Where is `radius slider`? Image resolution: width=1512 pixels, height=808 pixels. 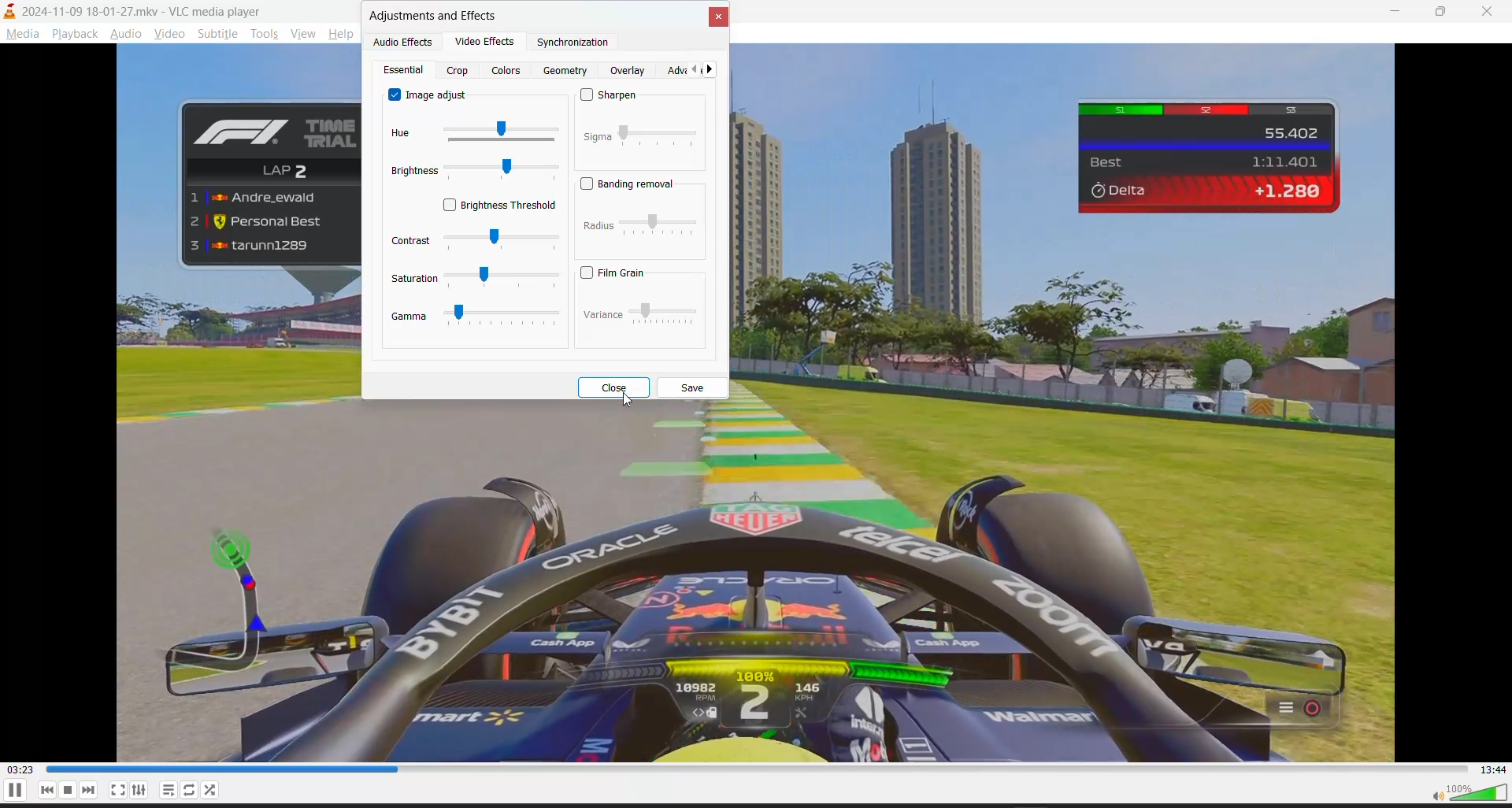 radius slider is located at coordinates (660, 224).